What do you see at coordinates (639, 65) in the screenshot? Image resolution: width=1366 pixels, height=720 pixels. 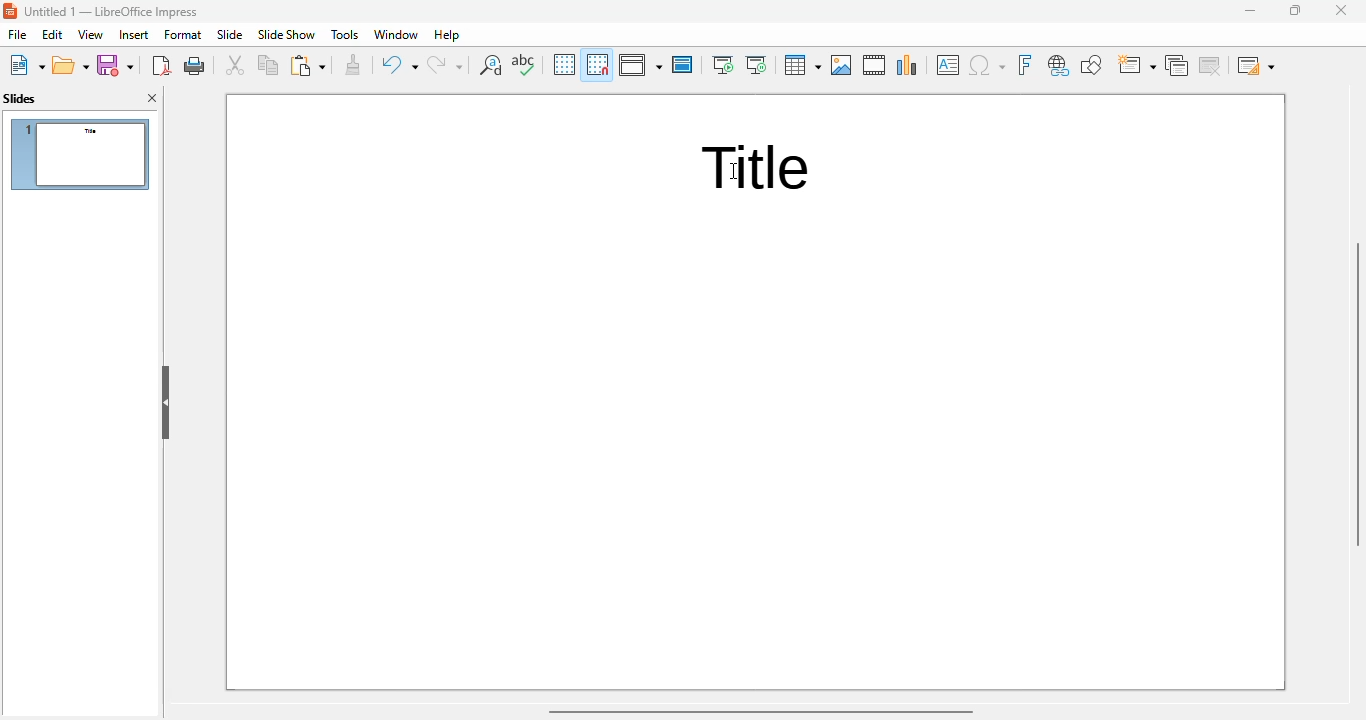 I see `display views` at bounding box center [639, 65].